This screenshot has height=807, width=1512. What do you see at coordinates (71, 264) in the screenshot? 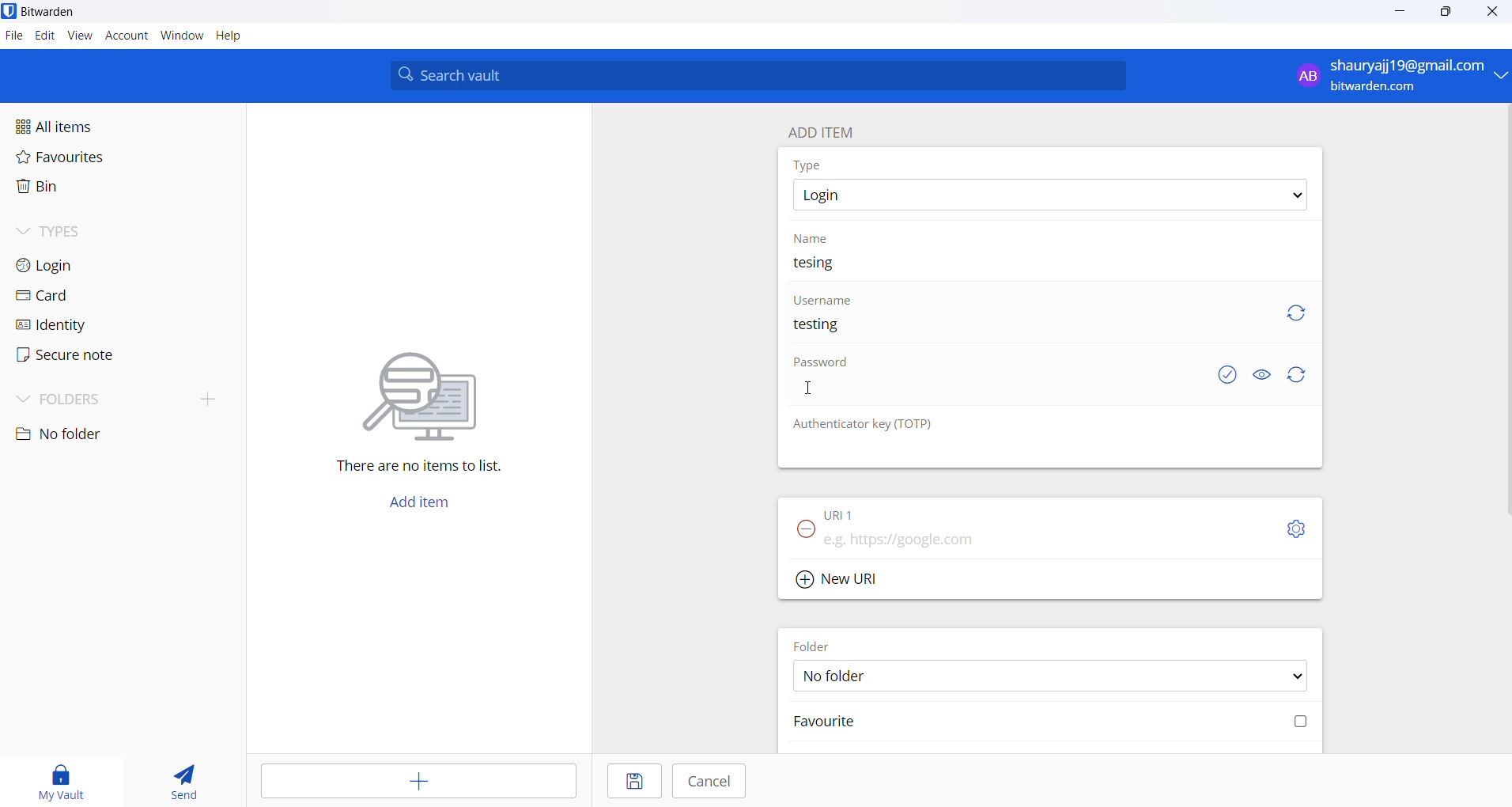
I see `login` at bounding box center [71, 264].